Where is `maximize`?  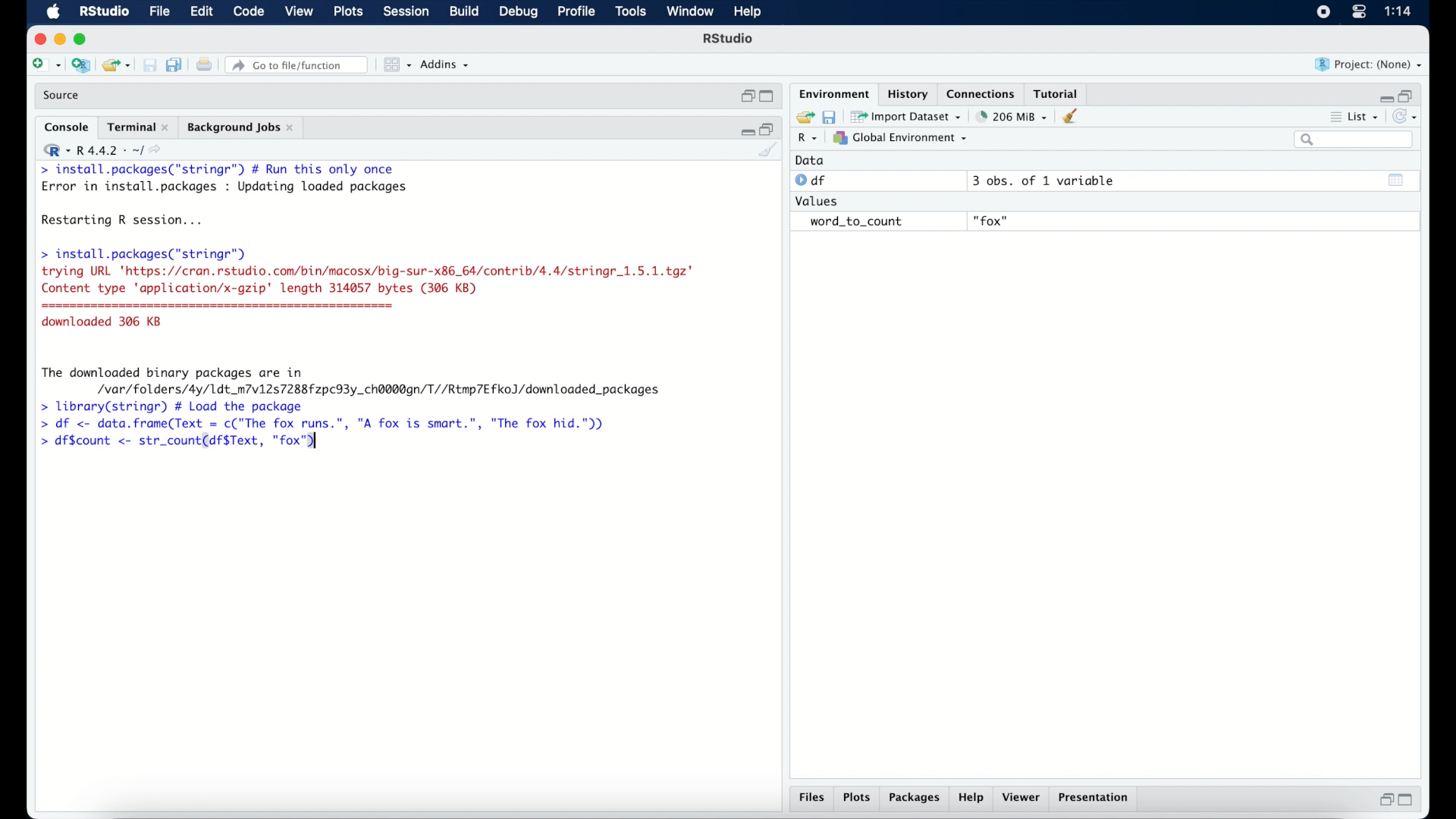
maximize is located at coordinates (1409, 800).